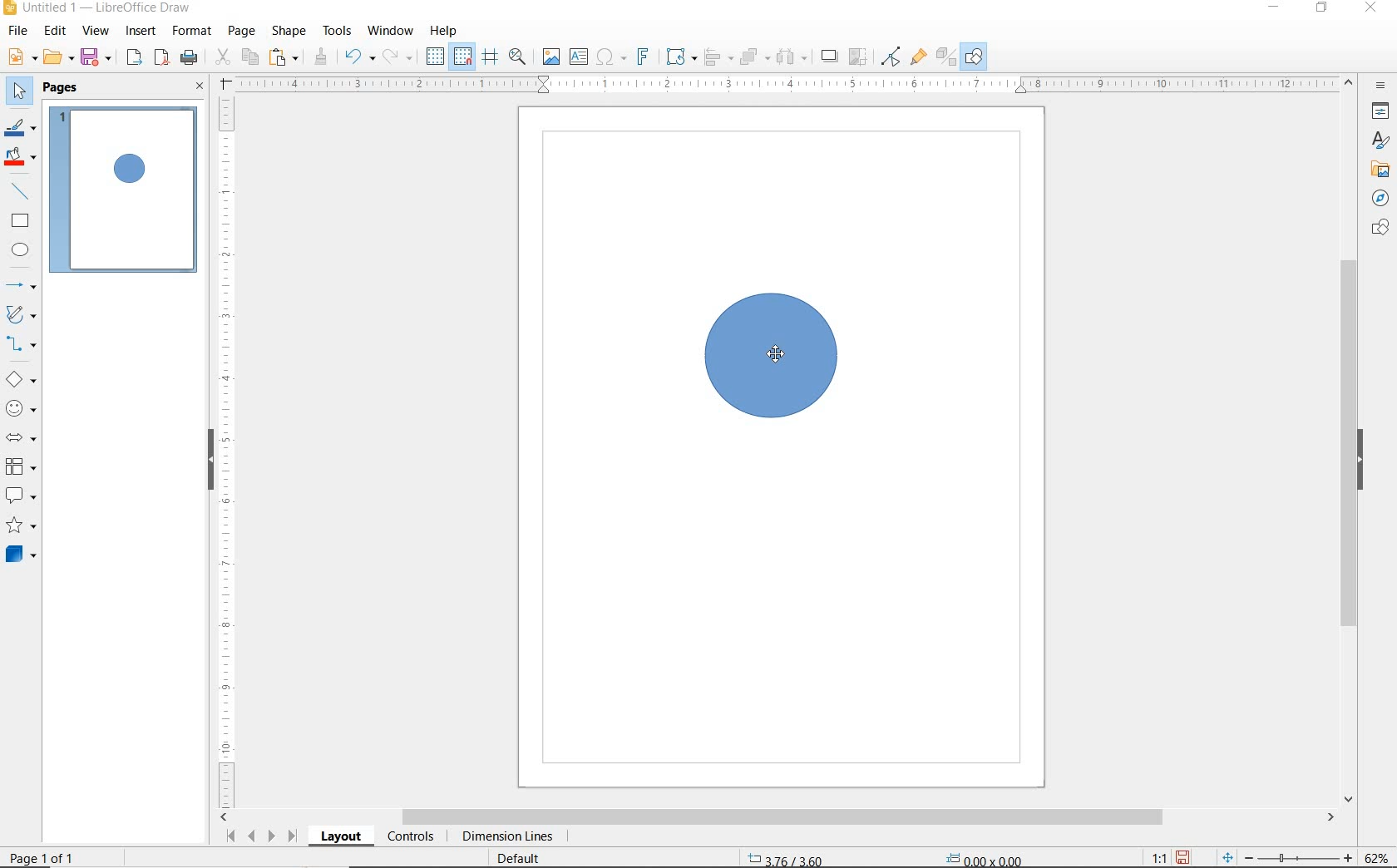 The image size is (1397, 868). What do you see at coordinates (1371, 10) in the screenshot?
I see `CLOSE` at bounding box center [1371, 10].